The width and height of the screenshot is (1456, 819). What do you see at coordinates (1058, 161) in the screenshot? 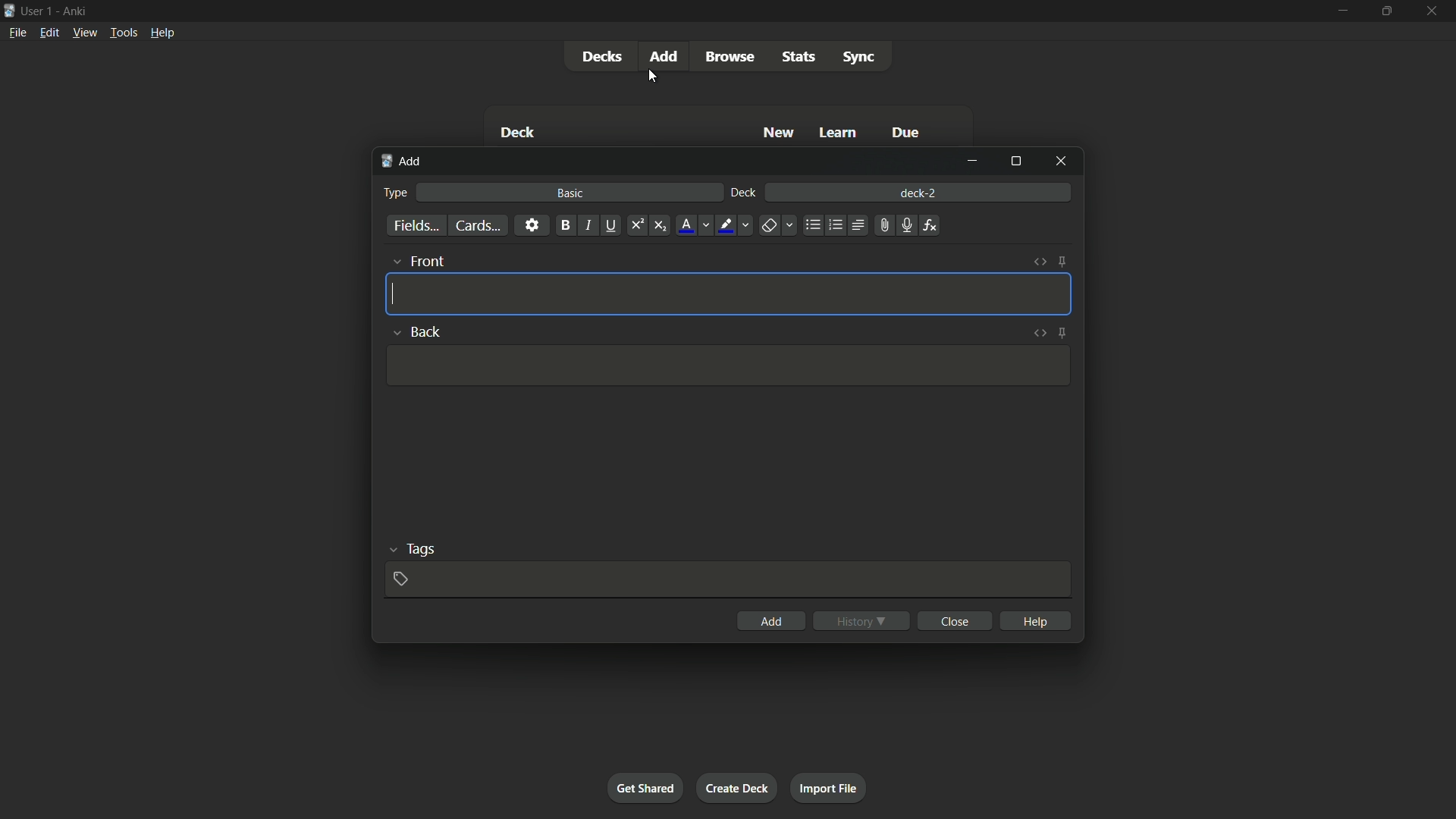
I see `close window` at bounding box center [1058, 161].